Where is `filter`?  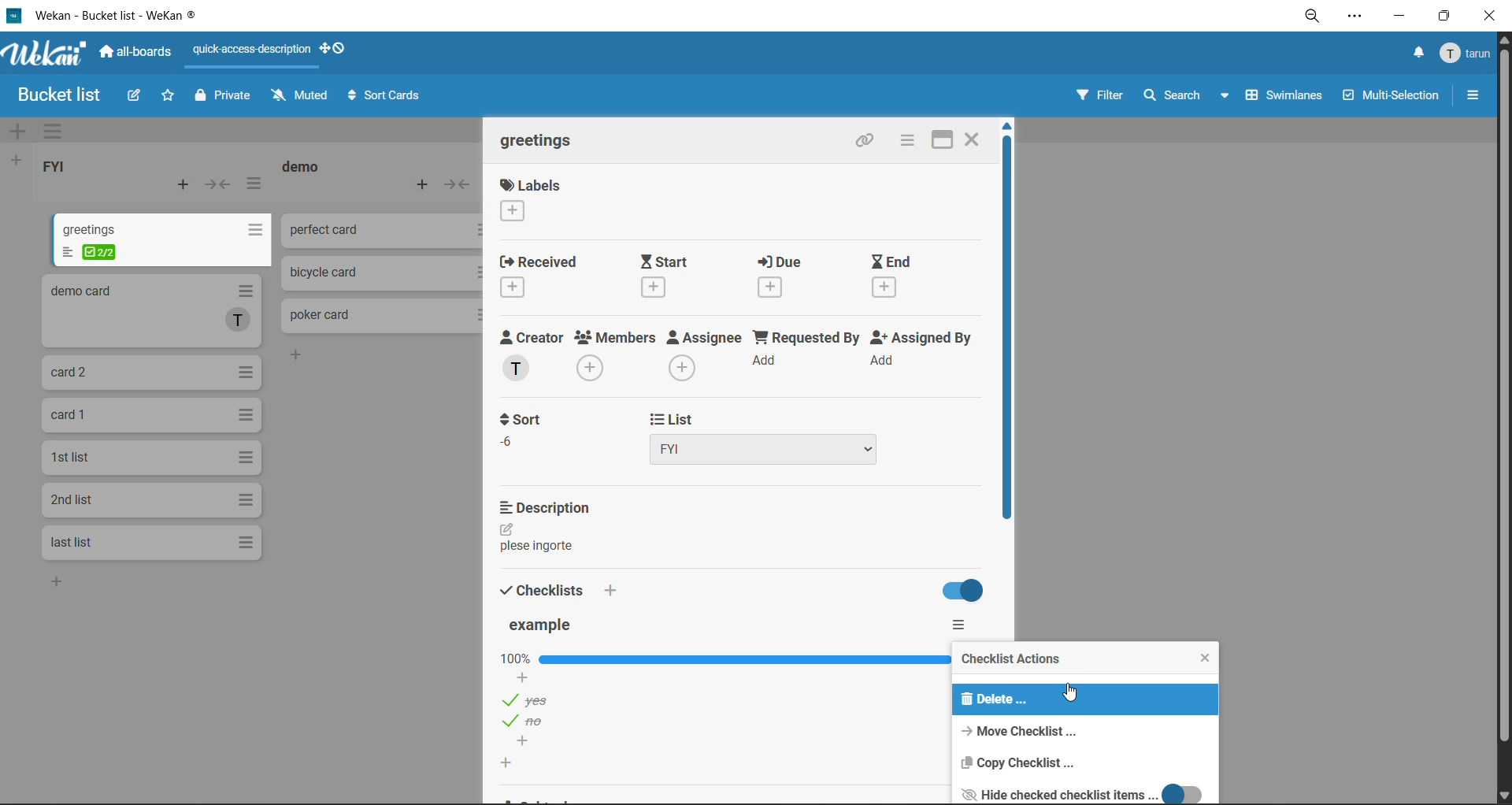
filter is located at coordinates (1102, 93).